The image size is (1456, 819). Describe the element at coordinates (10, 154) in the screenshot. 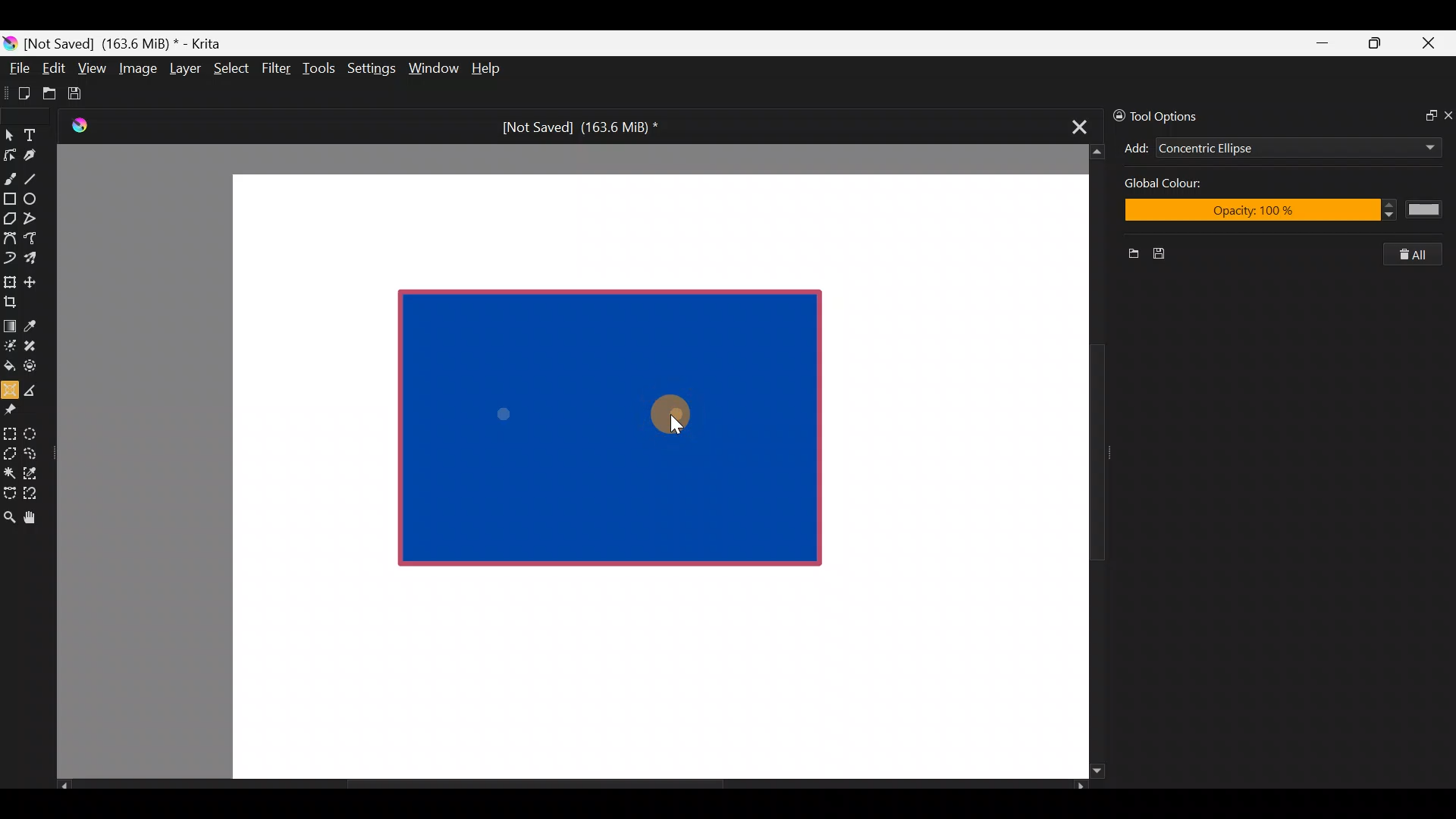

I see `Edit shapes tool` at that location.